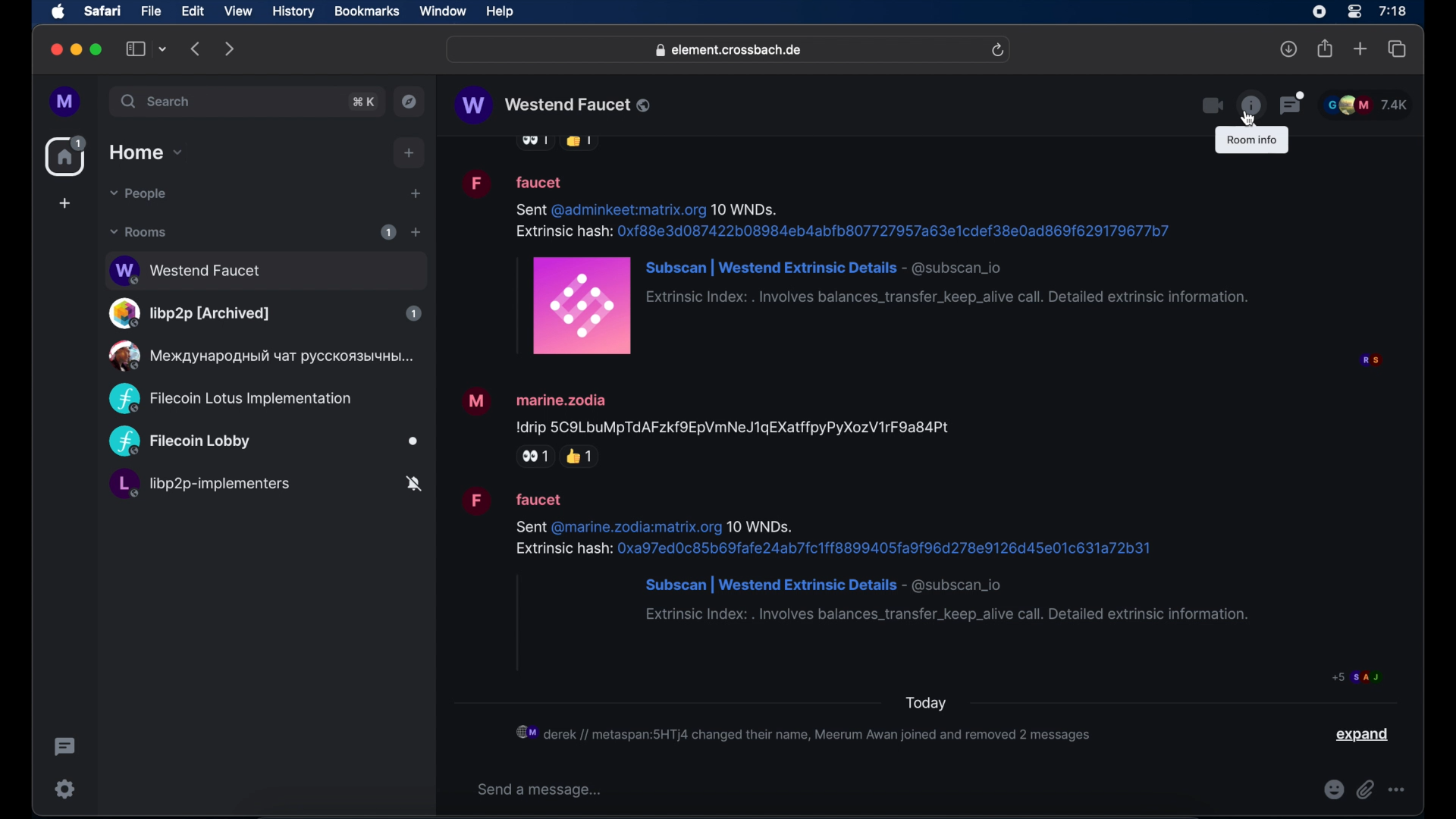 This screenshot has height=819, width=1456. What do you see at coordinates (66, 747) in the screenshot?
I see `thread activity` at bounding box center [66, 747].